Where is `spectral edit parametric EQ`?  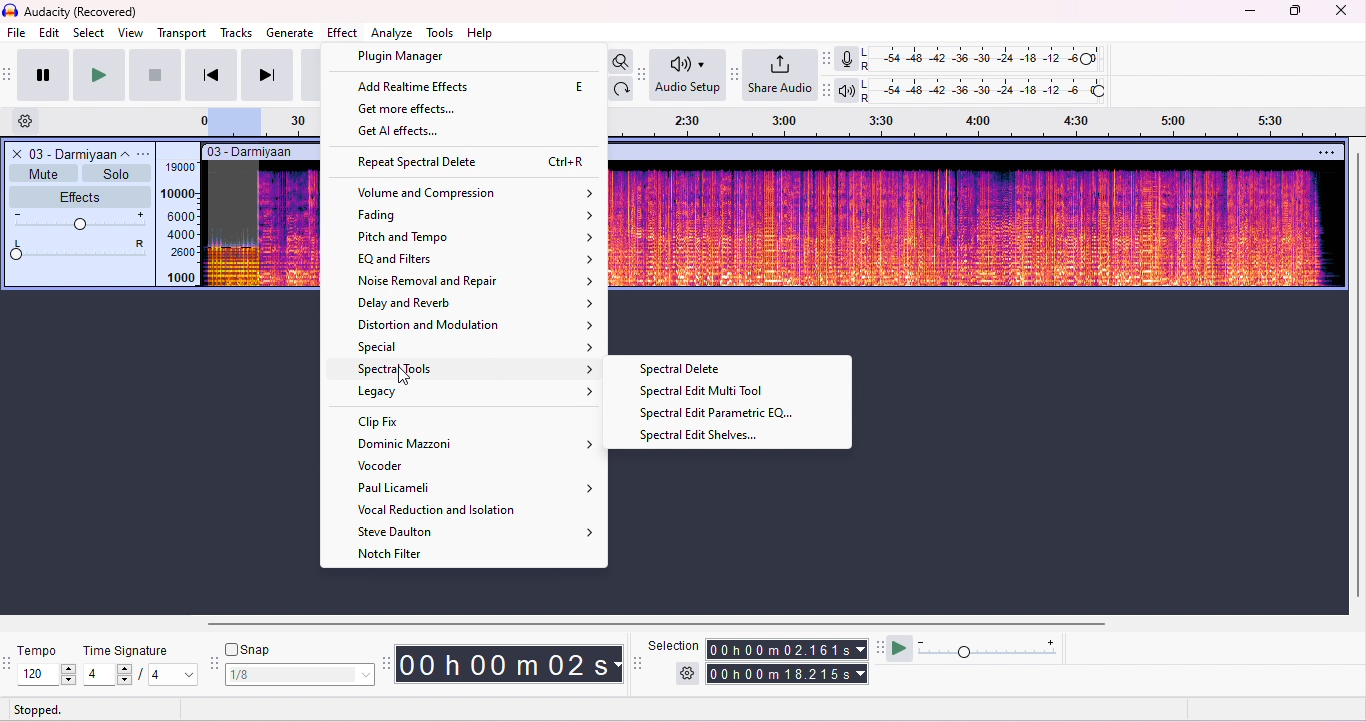 spectral edit parametric EQ is located at coordinates (723, 413).